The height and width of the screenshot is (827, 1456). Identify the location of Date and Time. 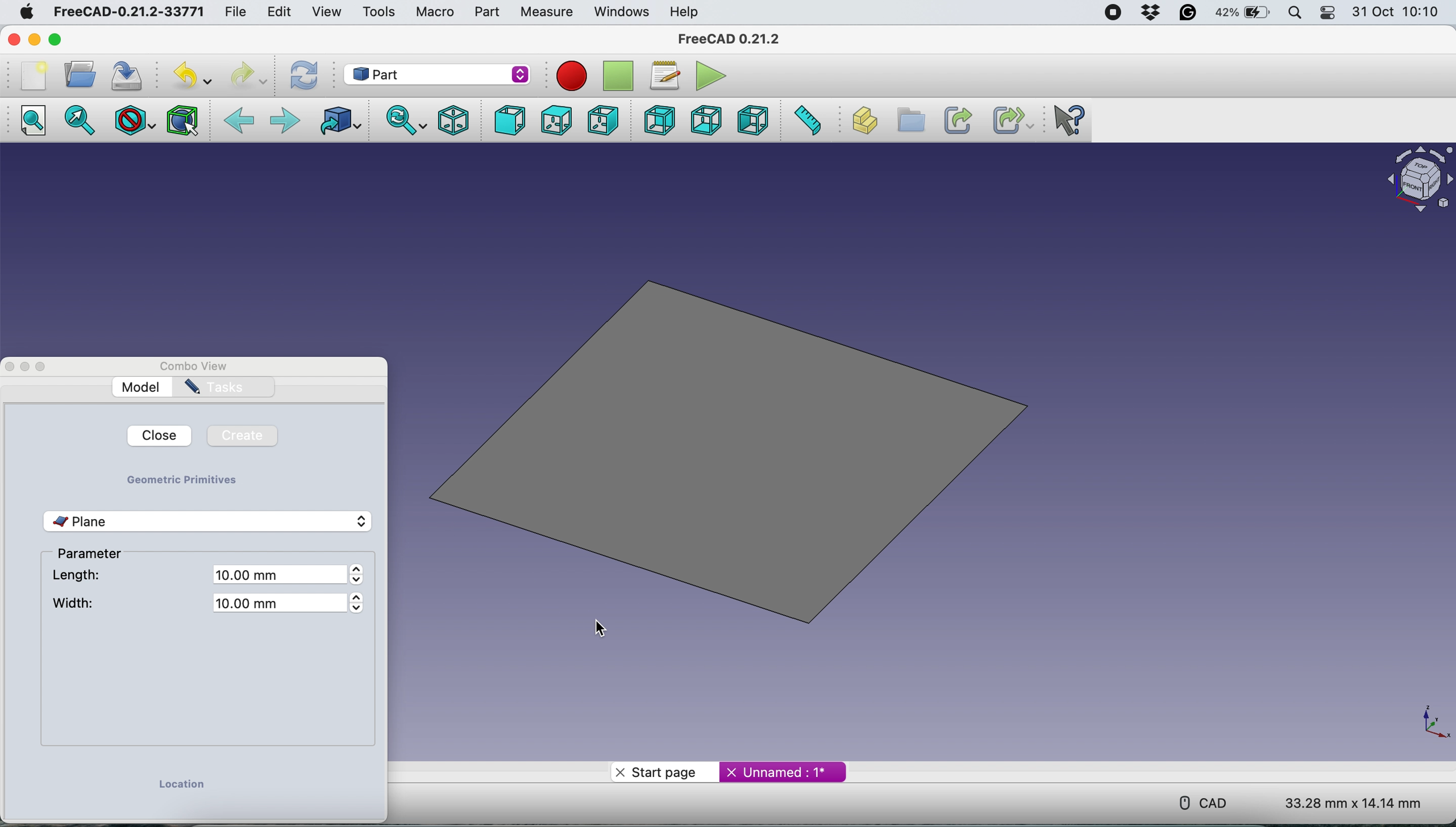
(1398, 11).